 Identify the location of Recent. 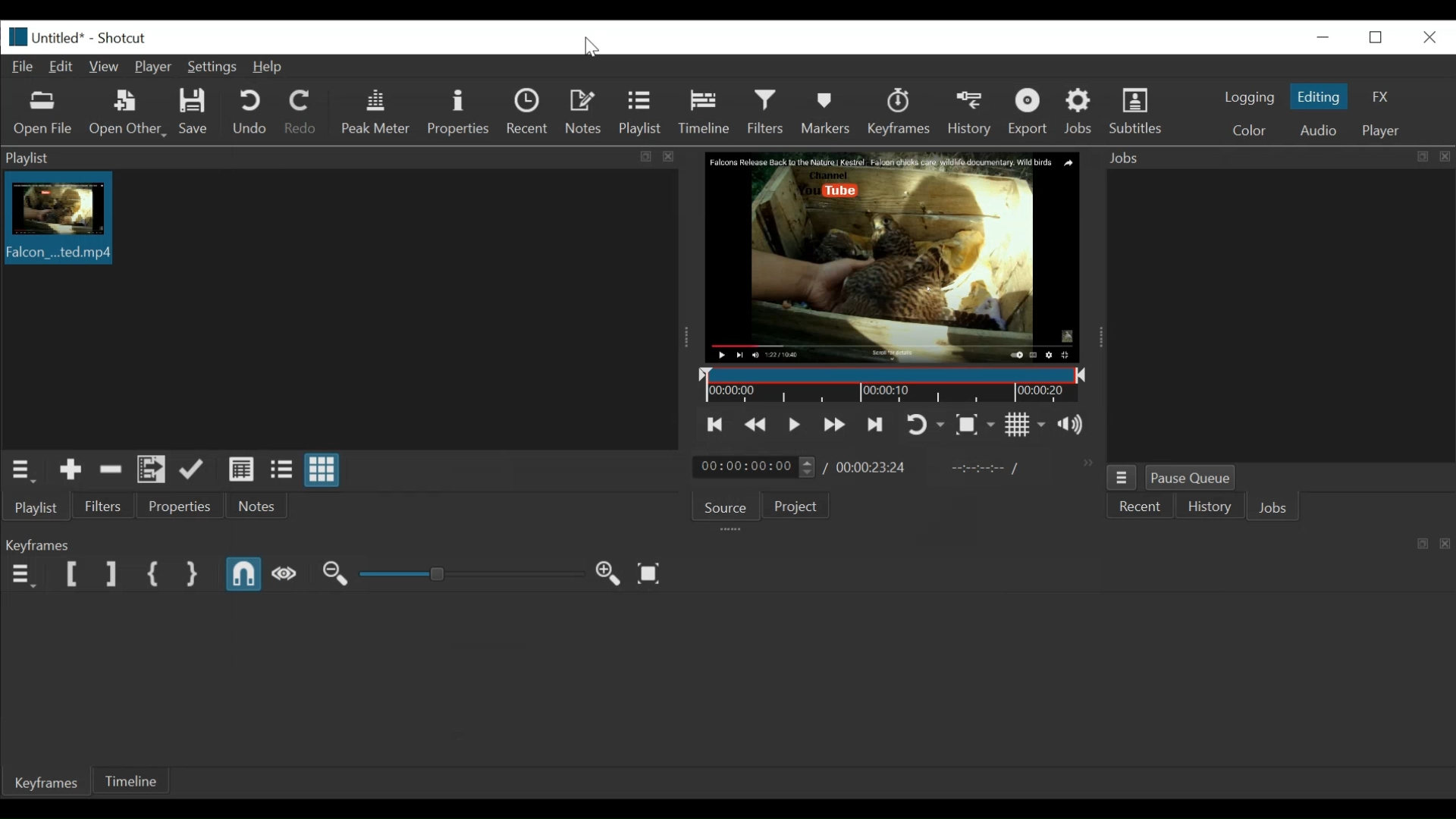
(529, 113).